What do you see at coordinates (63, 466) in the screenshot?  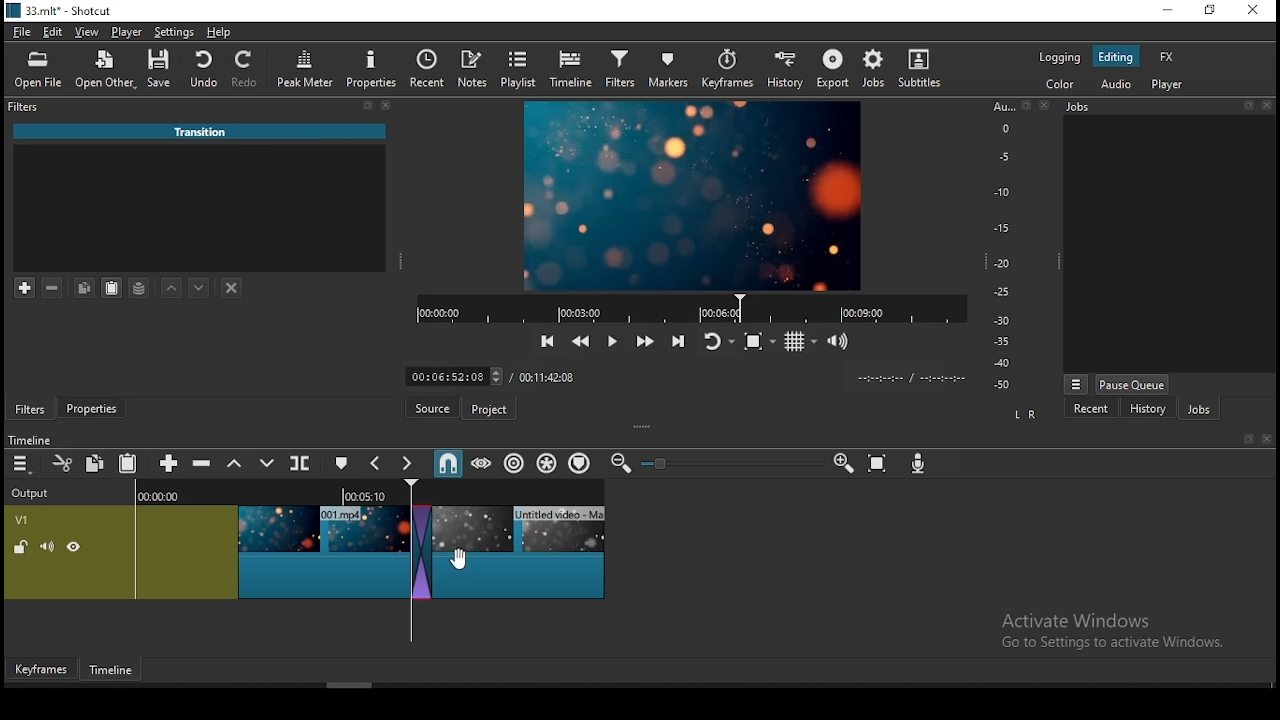 I see `cut` at bounding box center [63, 466].